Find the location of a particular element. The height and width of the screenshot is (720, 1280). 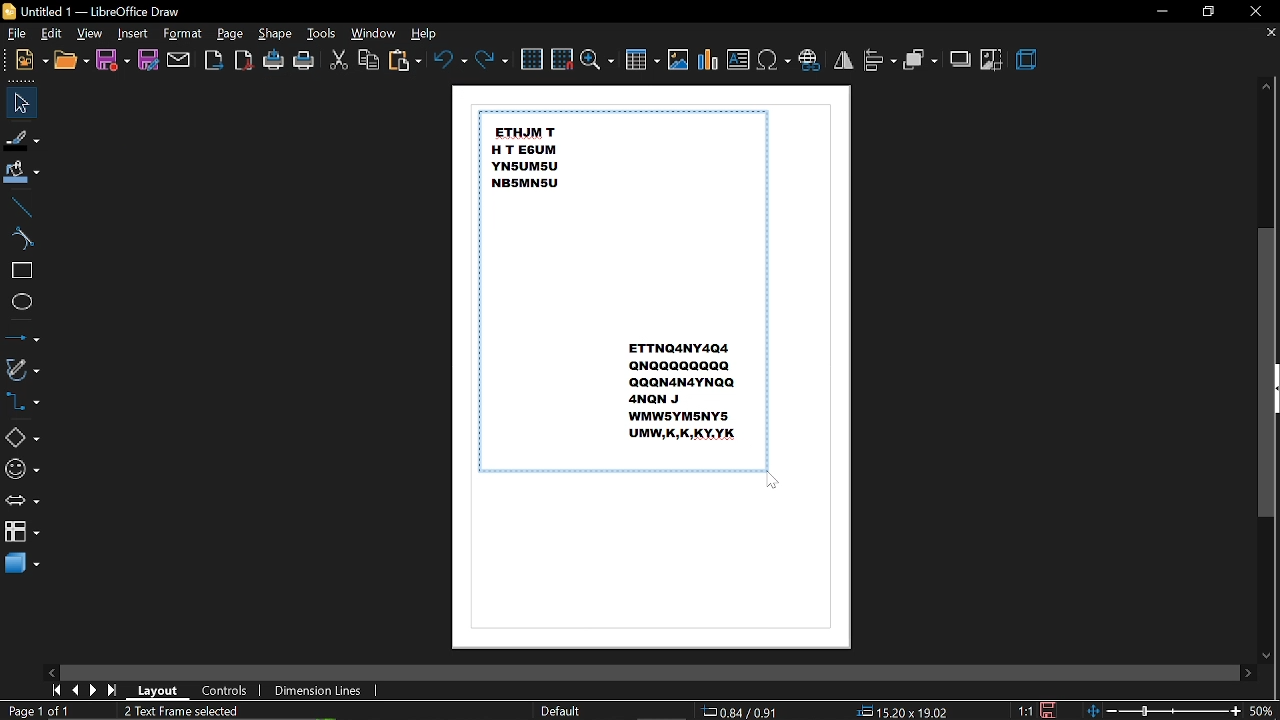

new is located at coordinates (32, 61).